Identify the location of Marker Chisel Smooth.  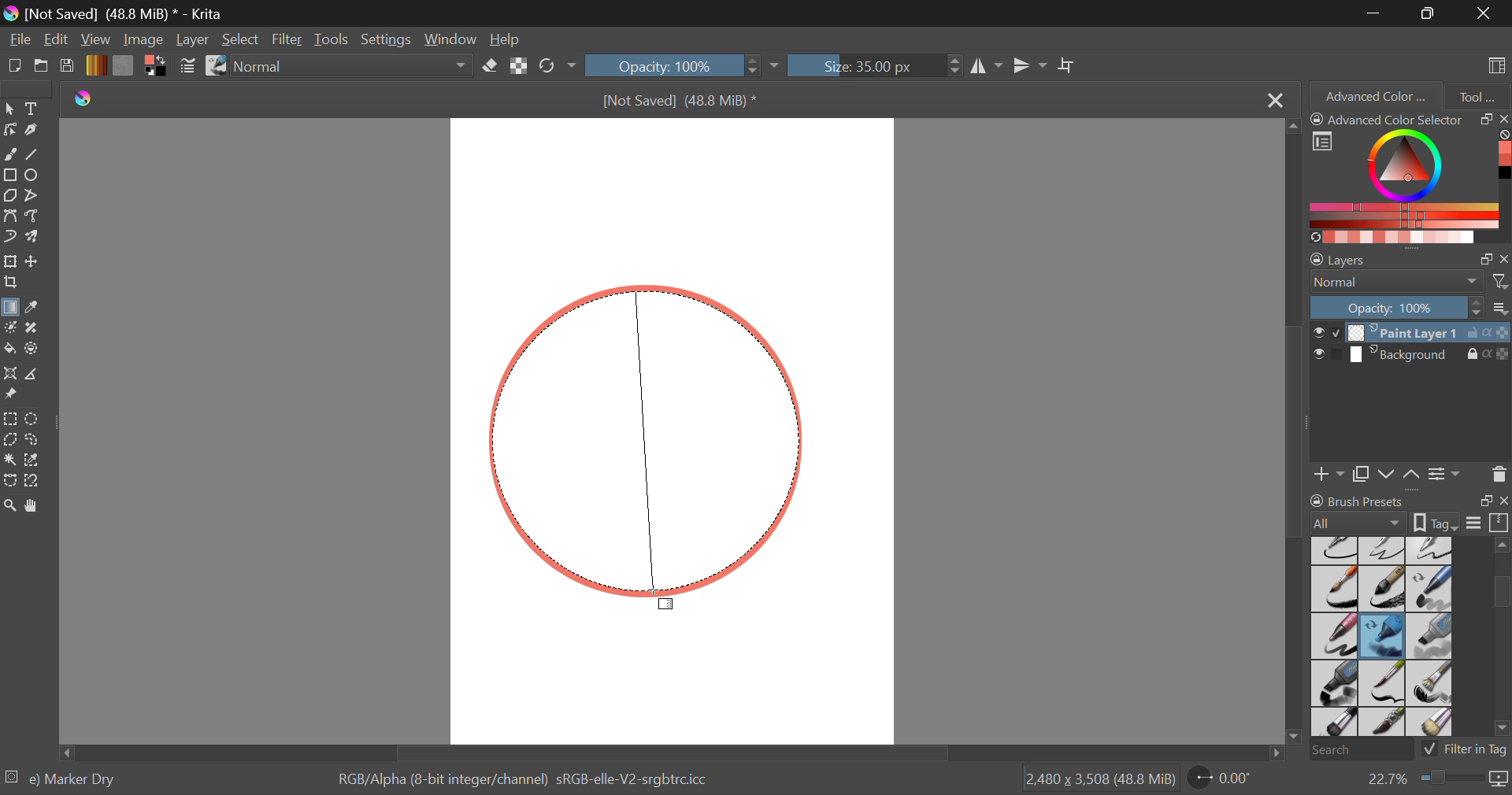
(1430, 588).